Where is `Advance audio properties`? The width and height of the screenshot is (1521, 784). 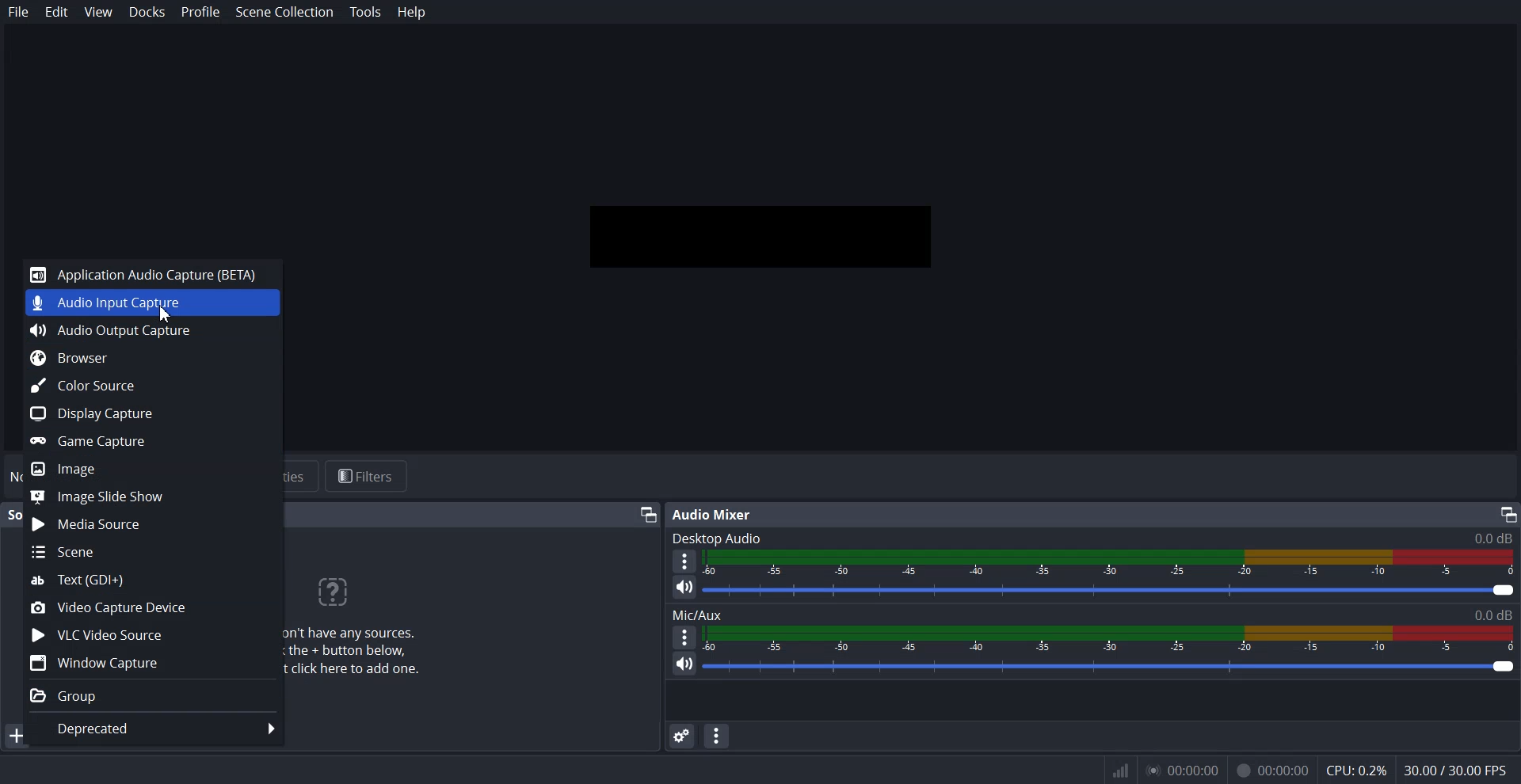
Advance audio properties is located at coordinates (681, 736).